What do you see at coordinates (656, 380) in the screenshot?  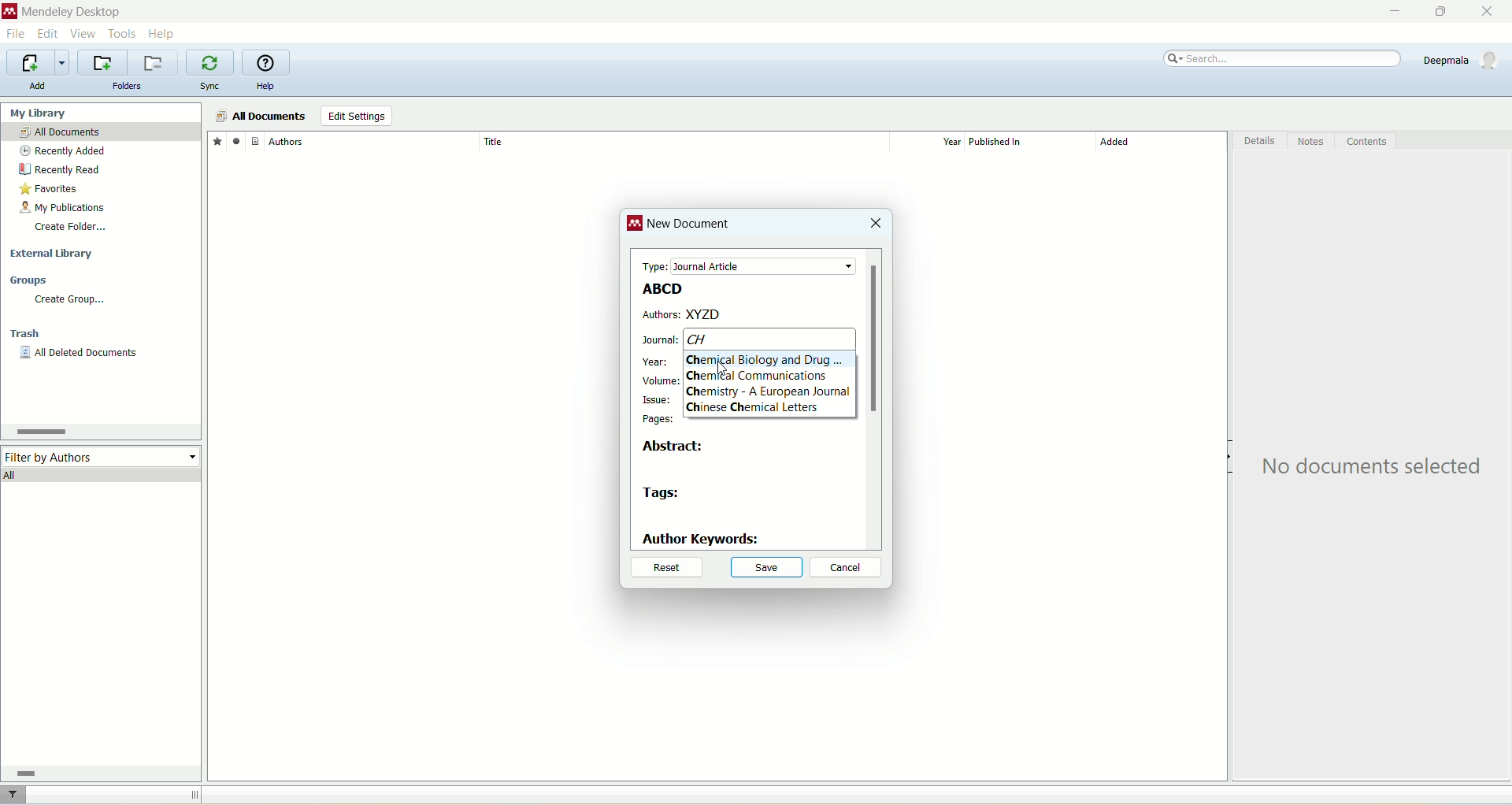 I see `volume` at bounding box center [656, 380].